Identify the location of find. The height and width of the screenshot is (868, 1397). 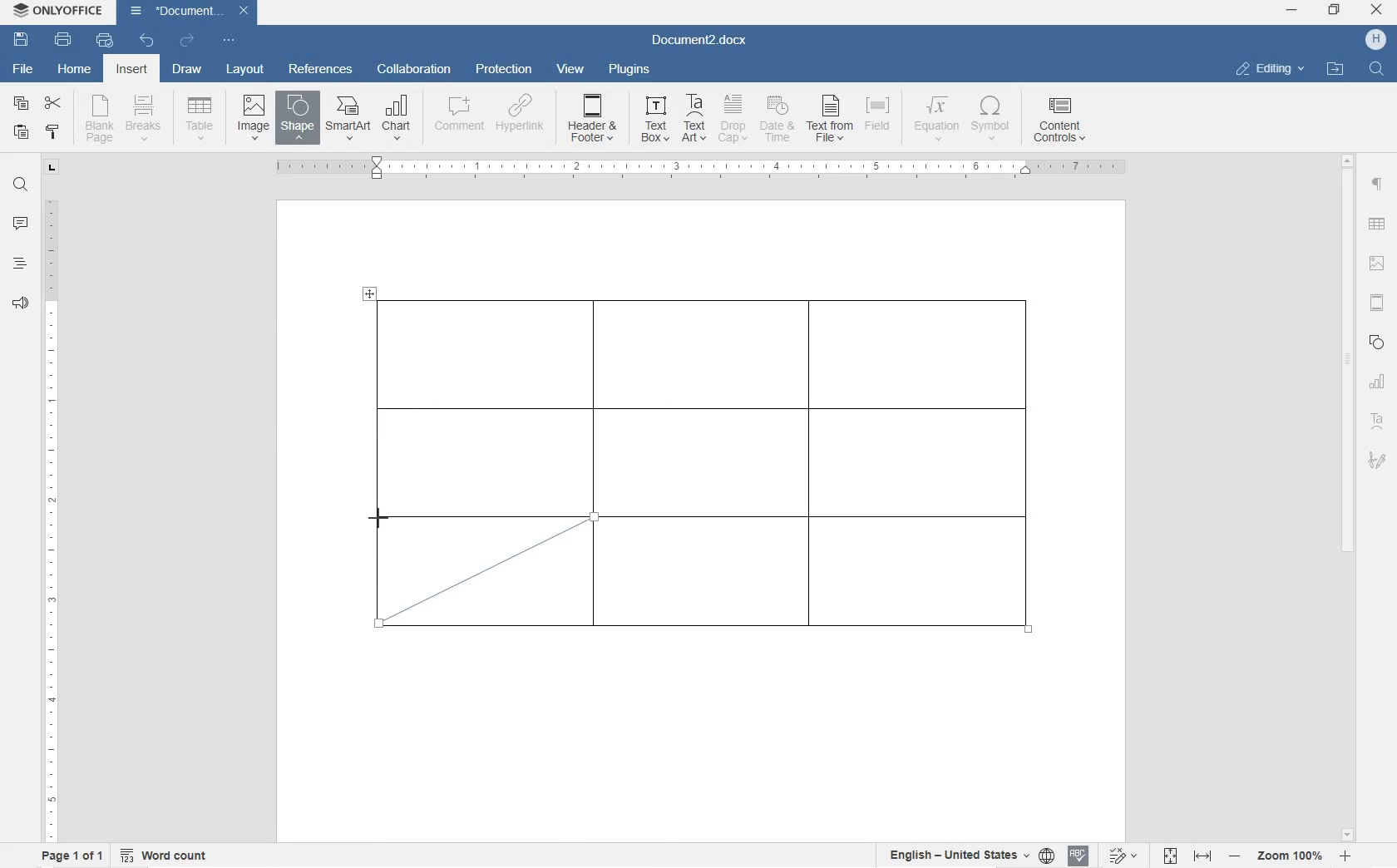
(22, 186).